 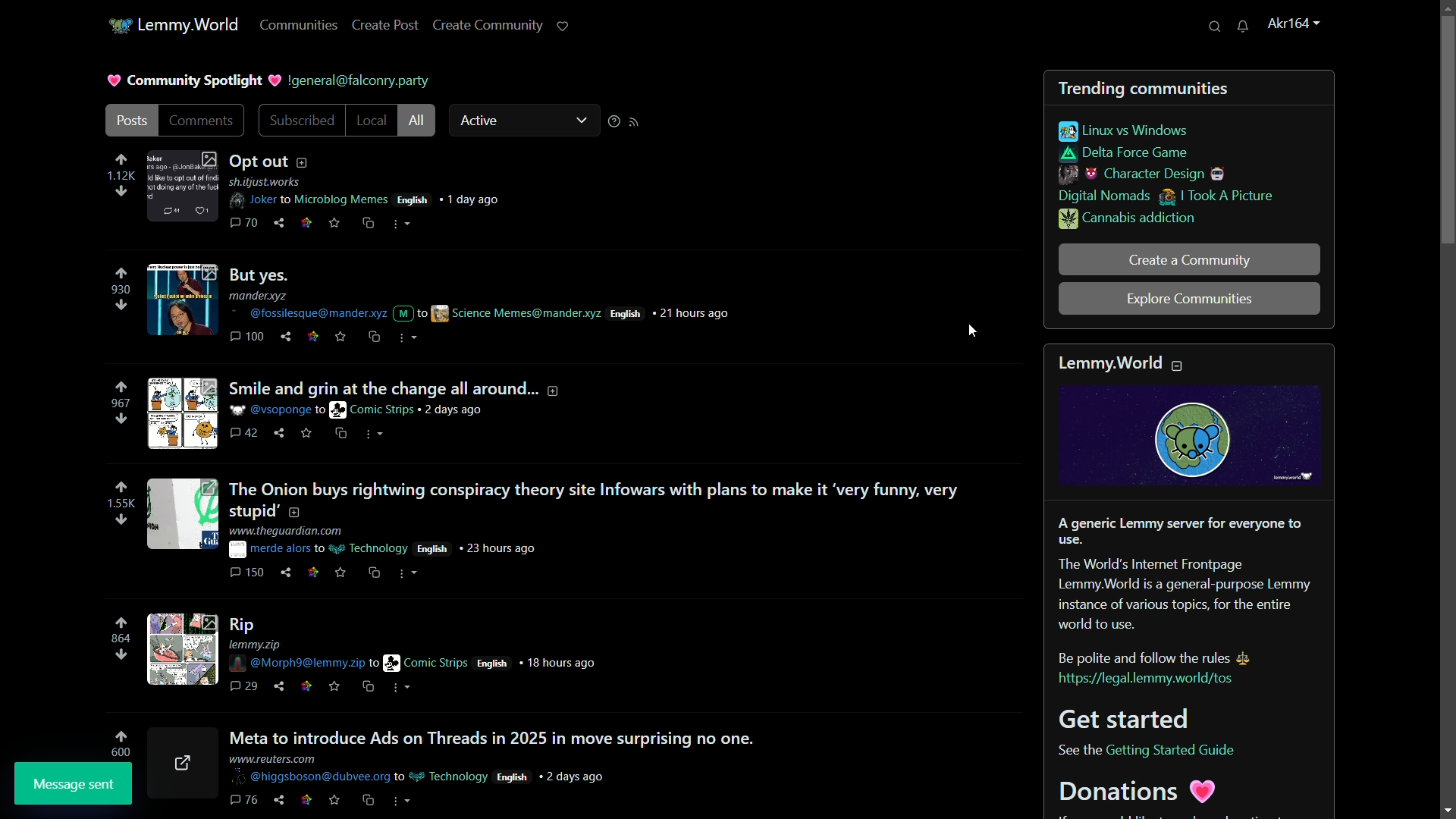 What do you see at coordinates (246, 435) in the screenshot?
I see `comment` at bounding box center [246, 435].